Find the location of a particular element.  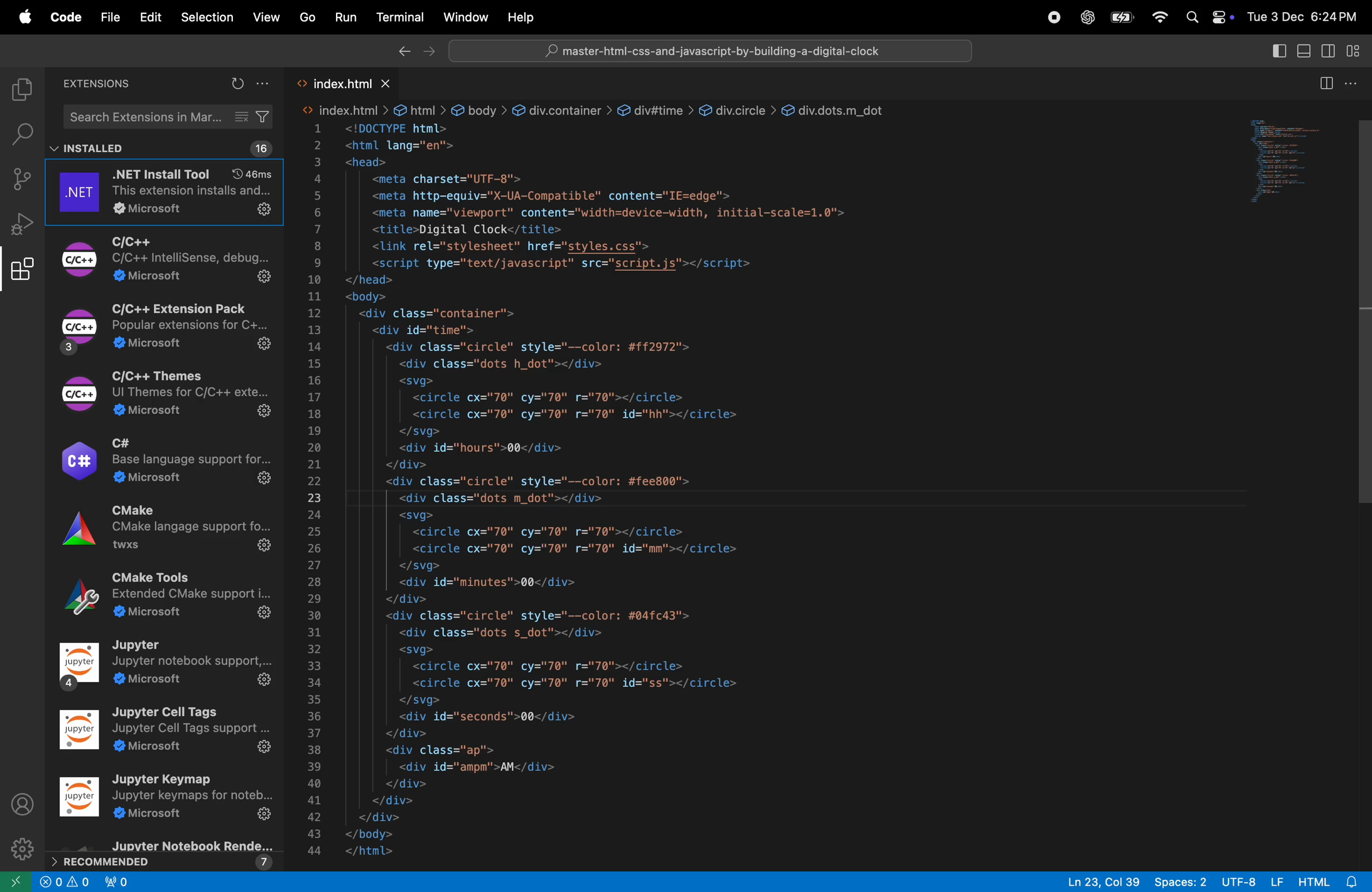

source control is located at coordinates (20, 177).